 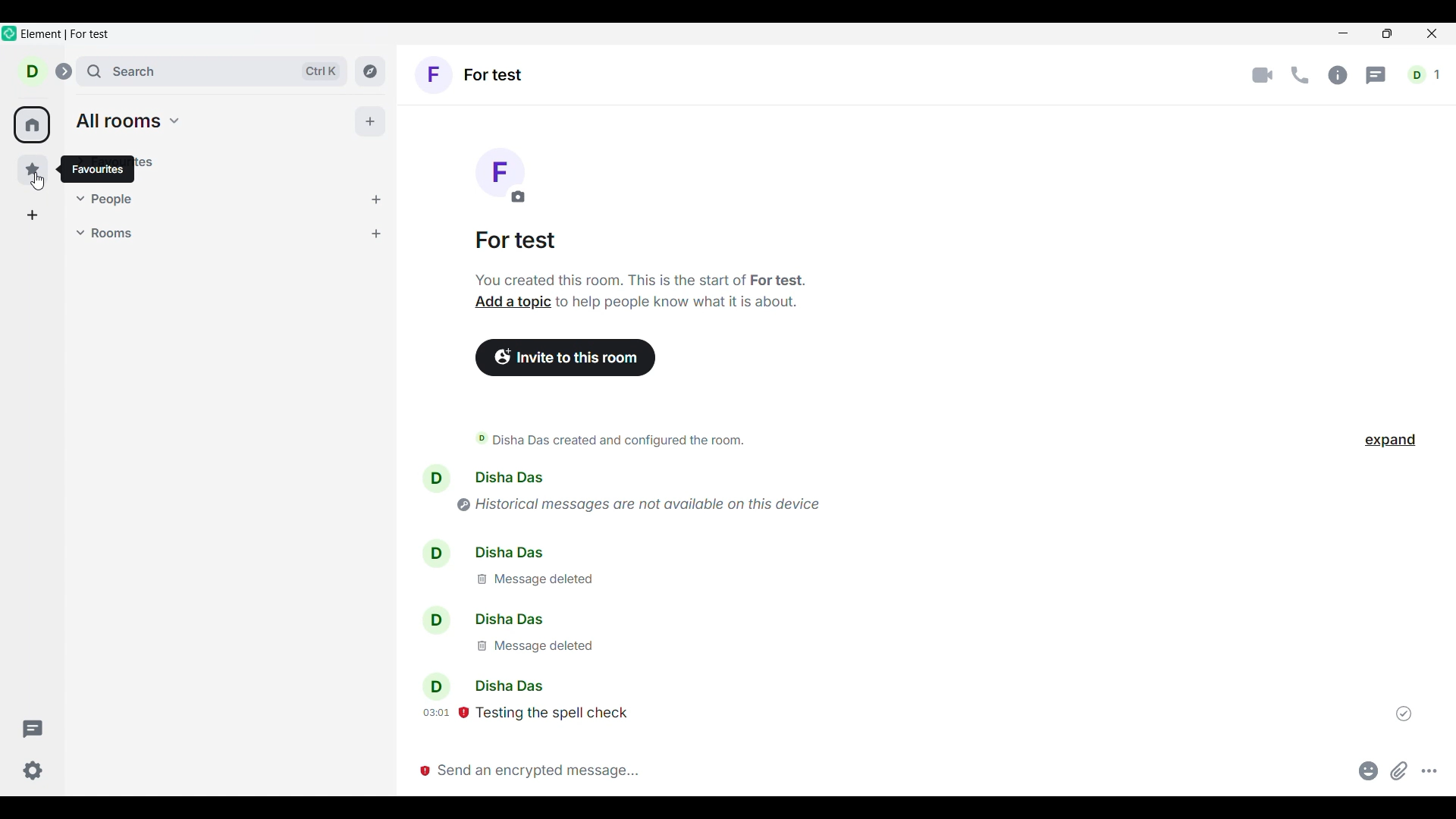 I want to click on Explore rooms, so click(x=371, y=70).